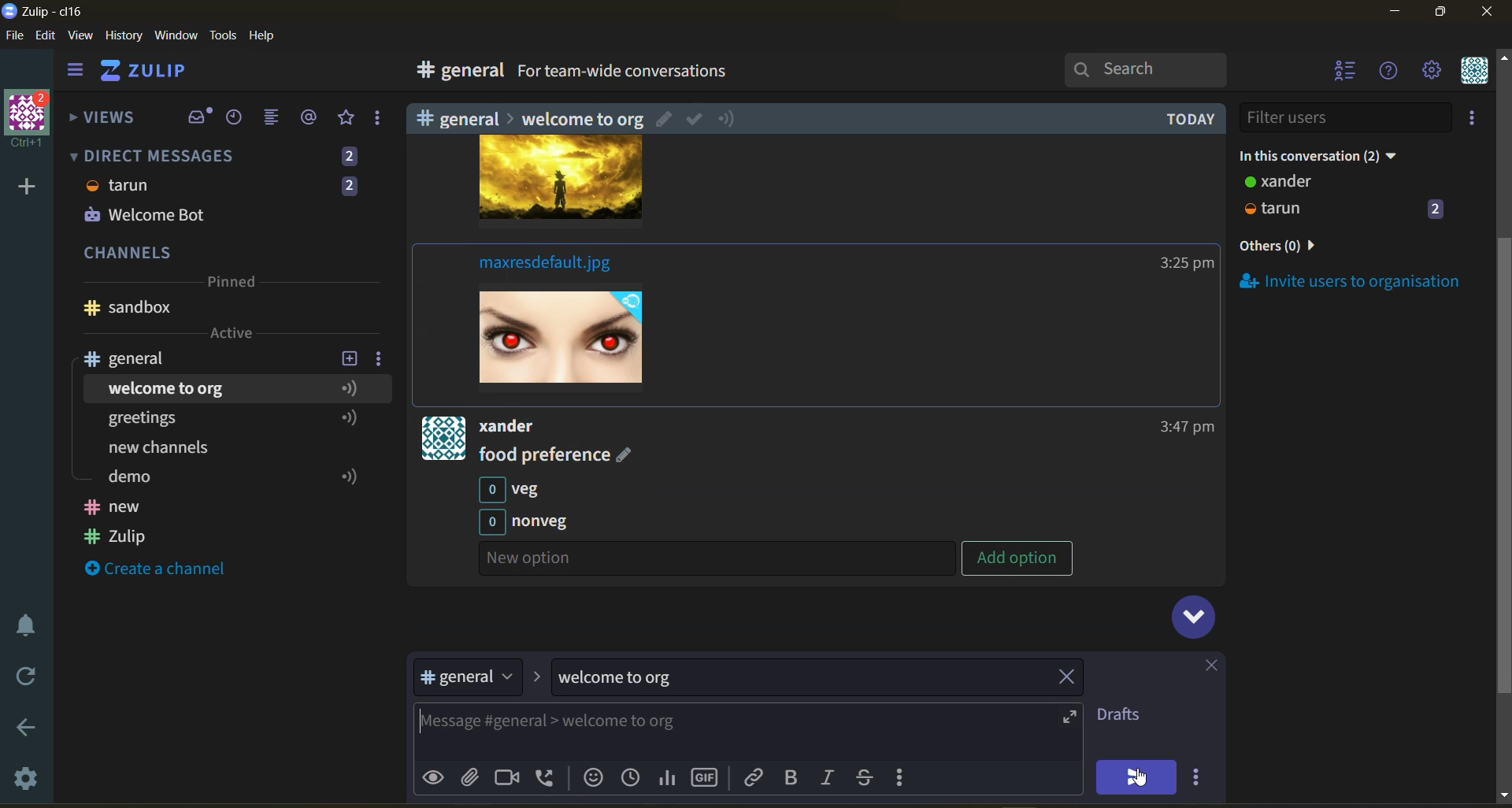  I want to click on bold, so click(790, 778).